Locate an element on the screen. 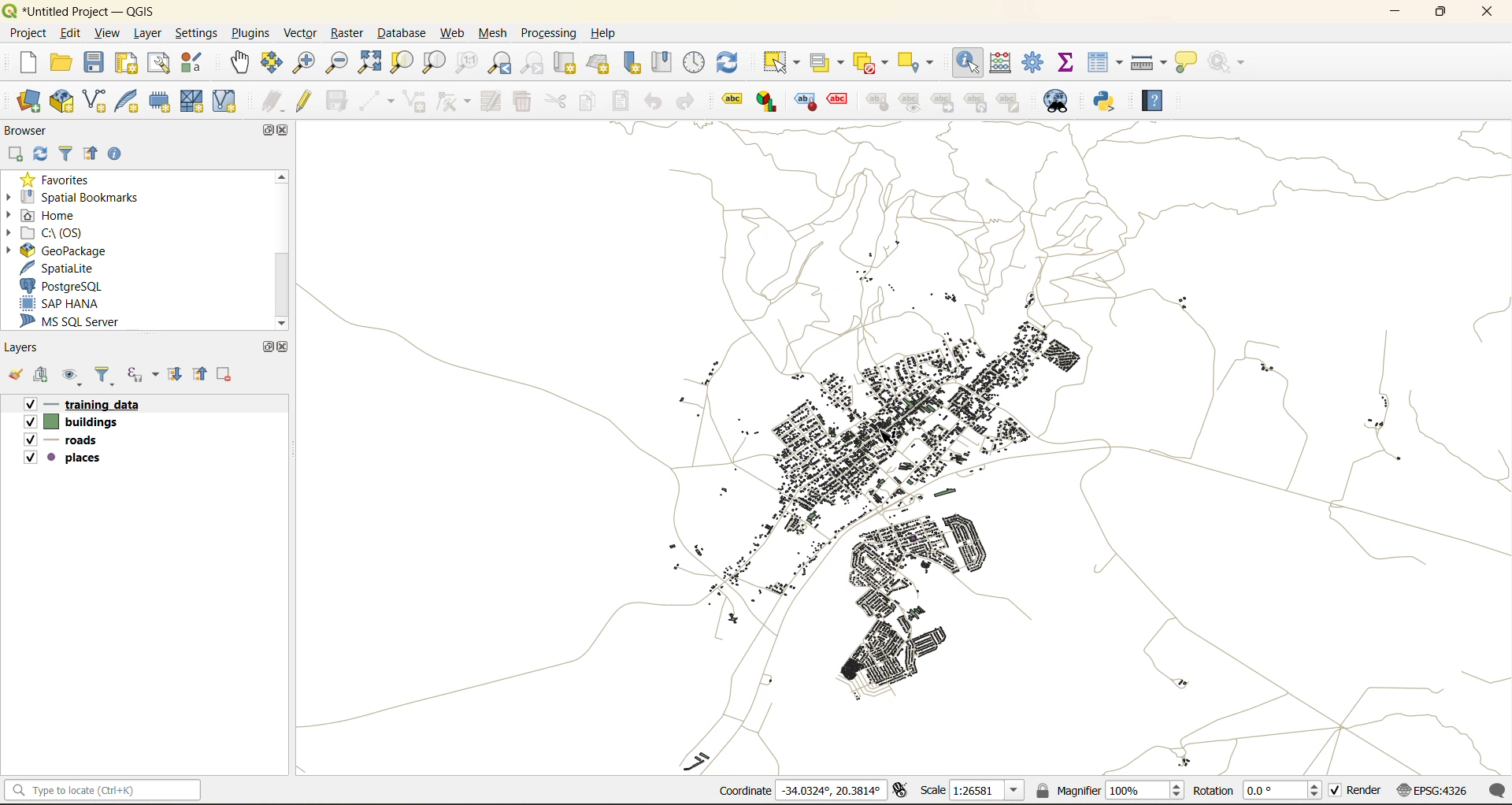  refresh is located at coordinates (42, 155).